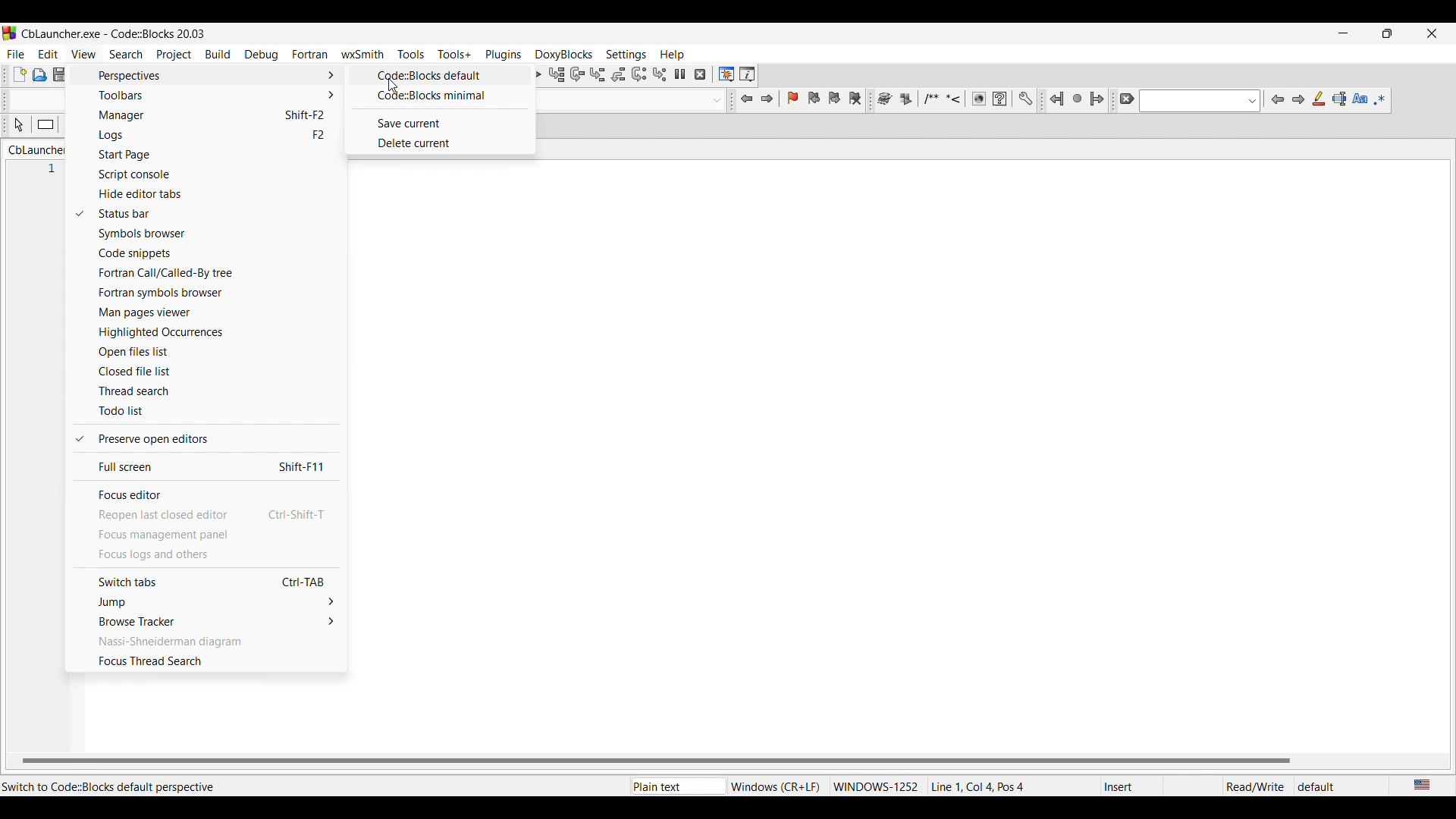 This screenshot has height=819, width=1456. Describe the element at coordinates (444, 143) in the screenshot. I see `Delete current` at that location.